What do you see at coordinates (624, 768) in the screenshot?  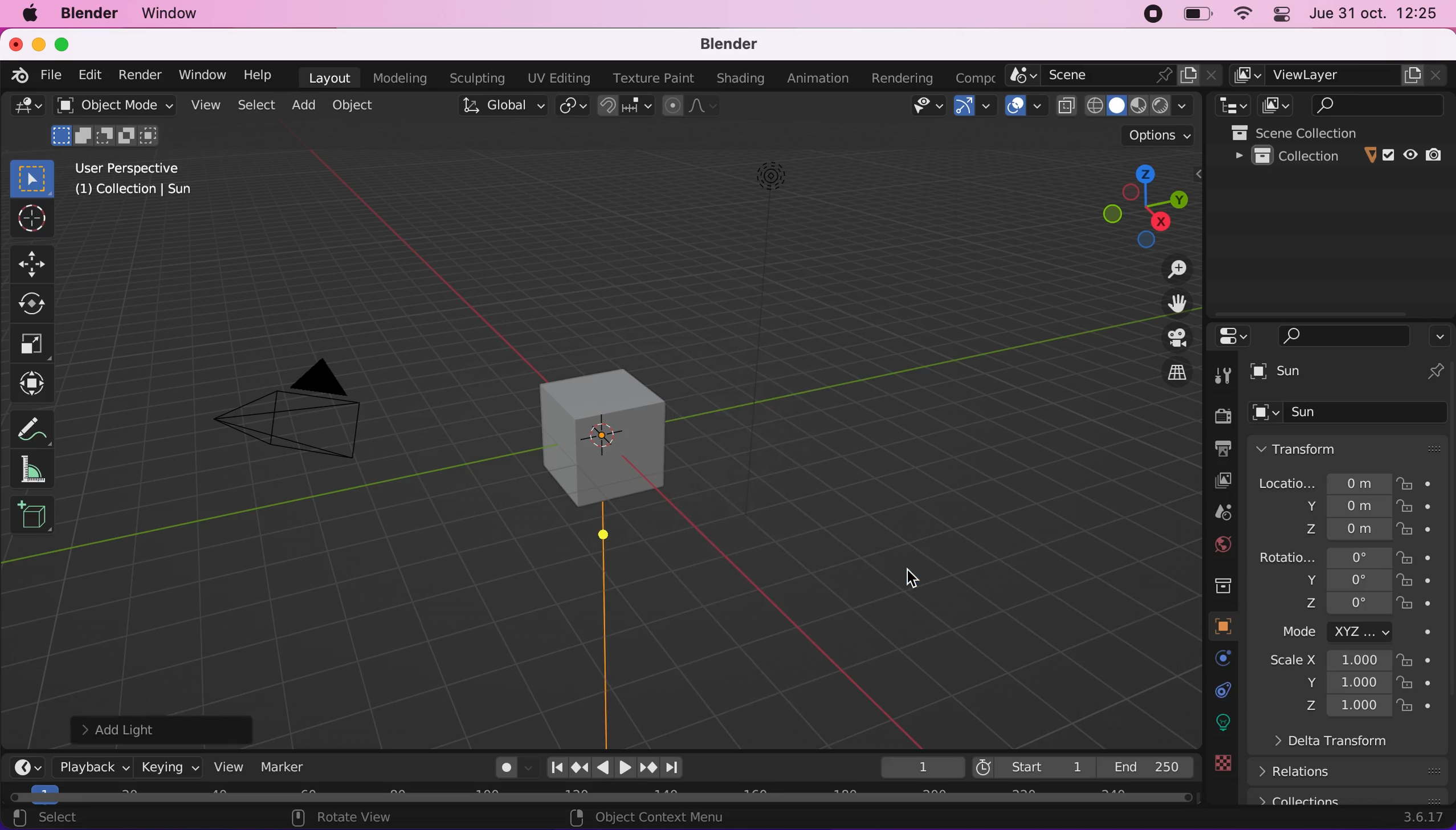 I see `Play animation` at bounding box center [624, 768].